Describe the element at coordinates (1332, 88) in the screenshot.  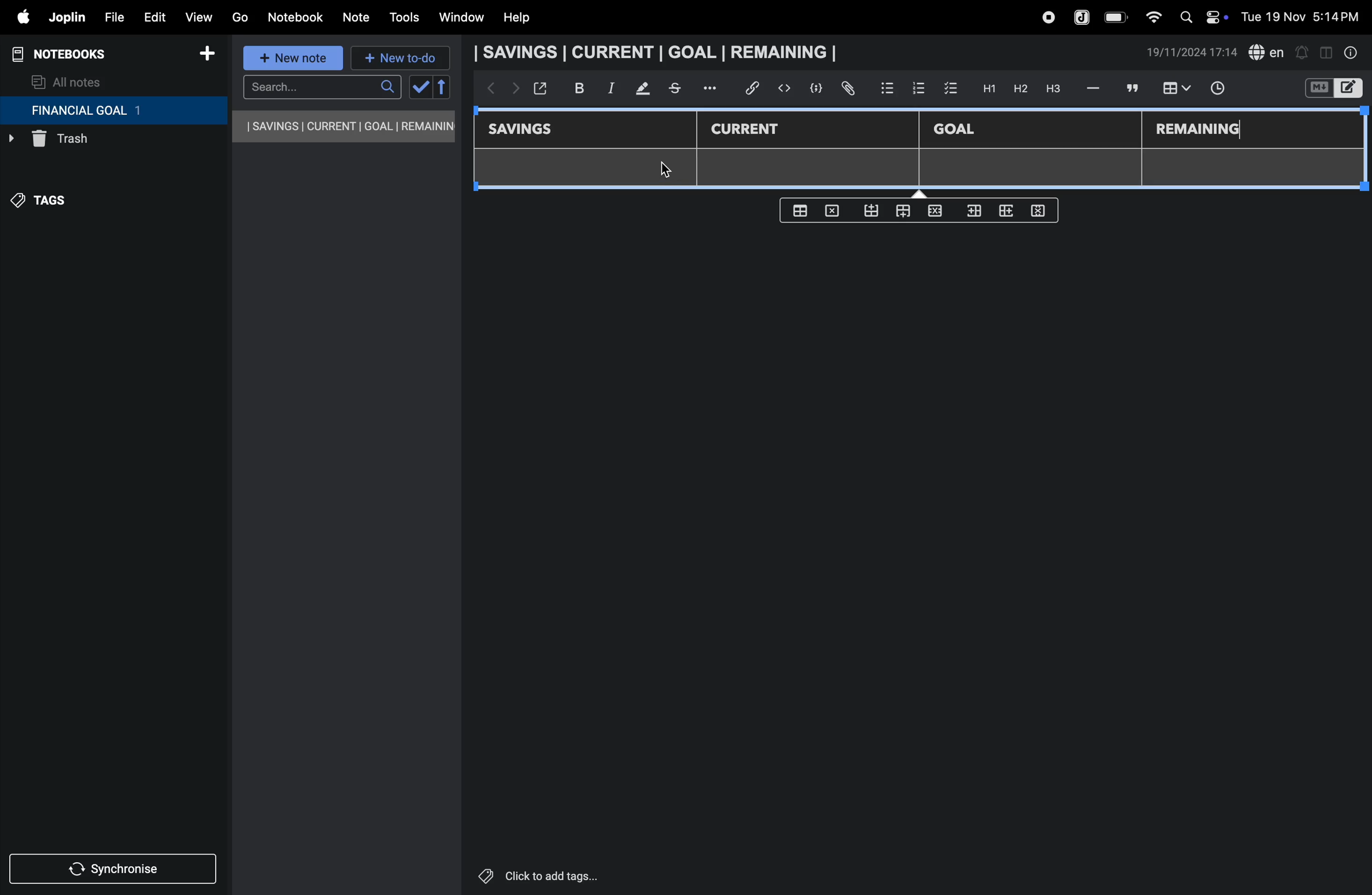
I see `switch editor` at that location.